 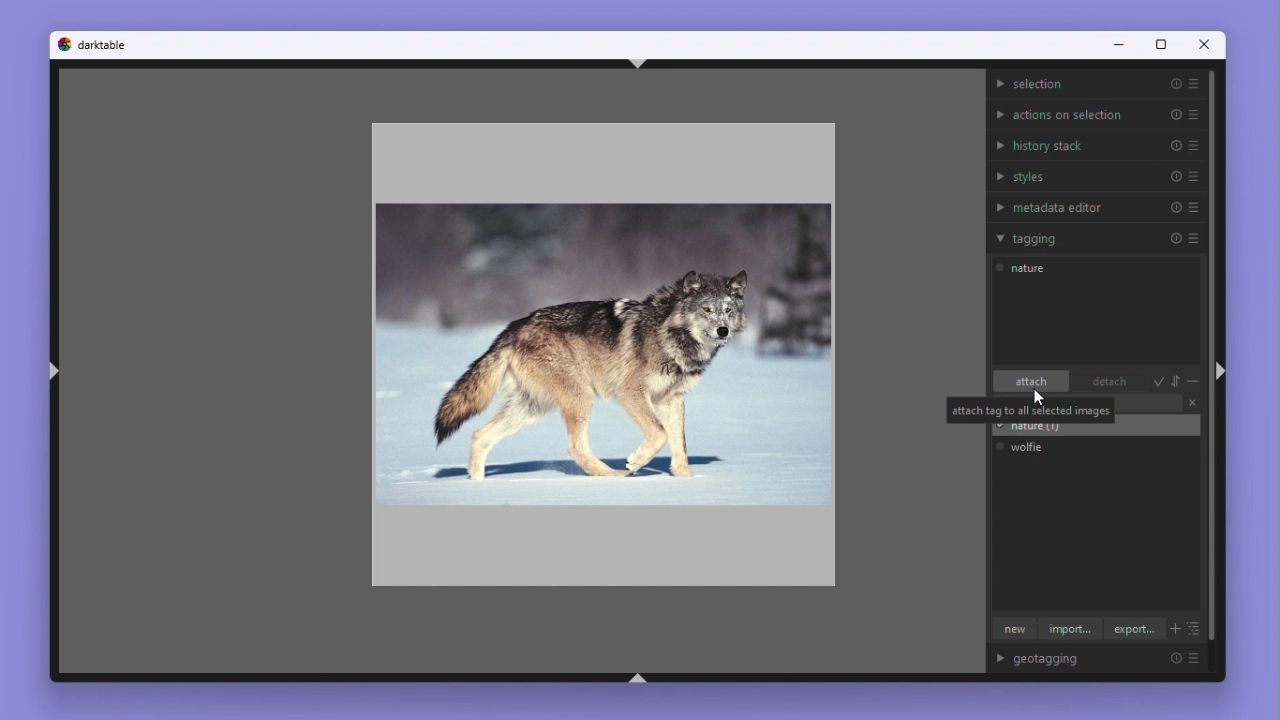 I want to click on save, so click(x=1159, y=382).